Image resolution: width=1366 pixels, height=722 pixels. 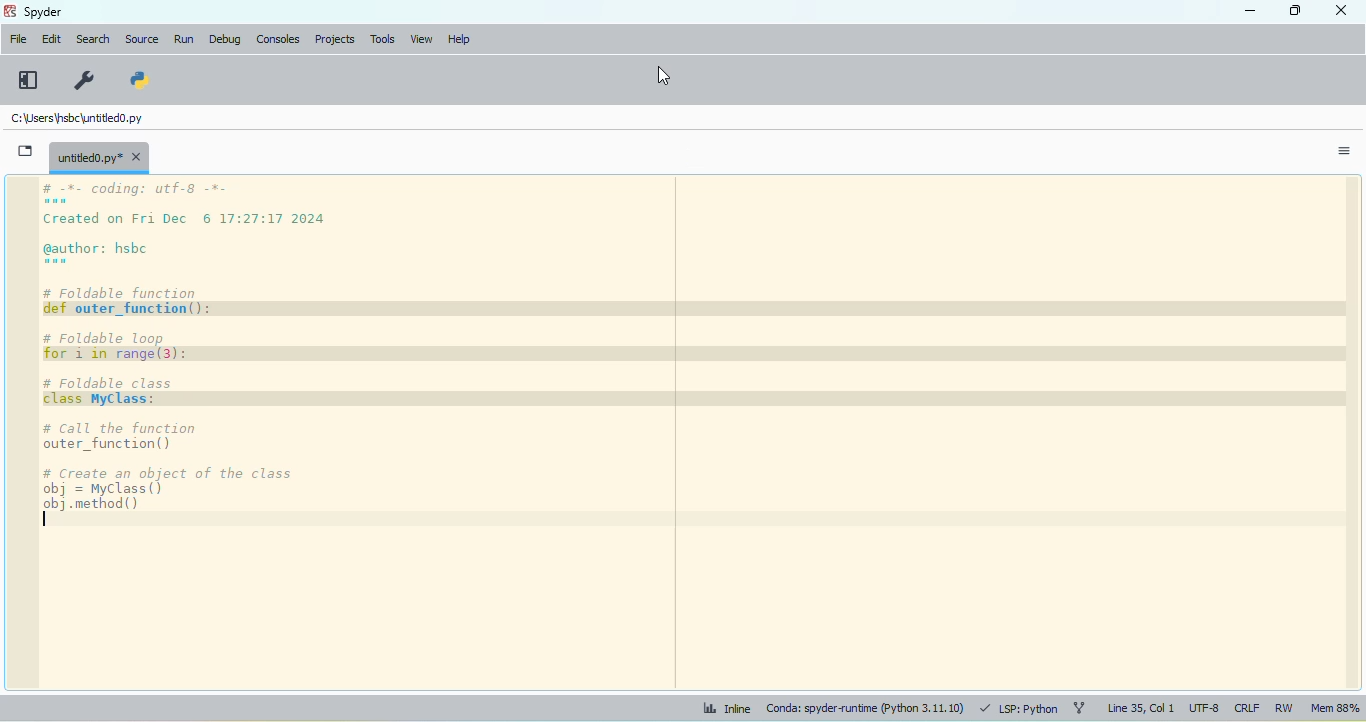 I want to click on minimize, so click(x=1249, y=11).